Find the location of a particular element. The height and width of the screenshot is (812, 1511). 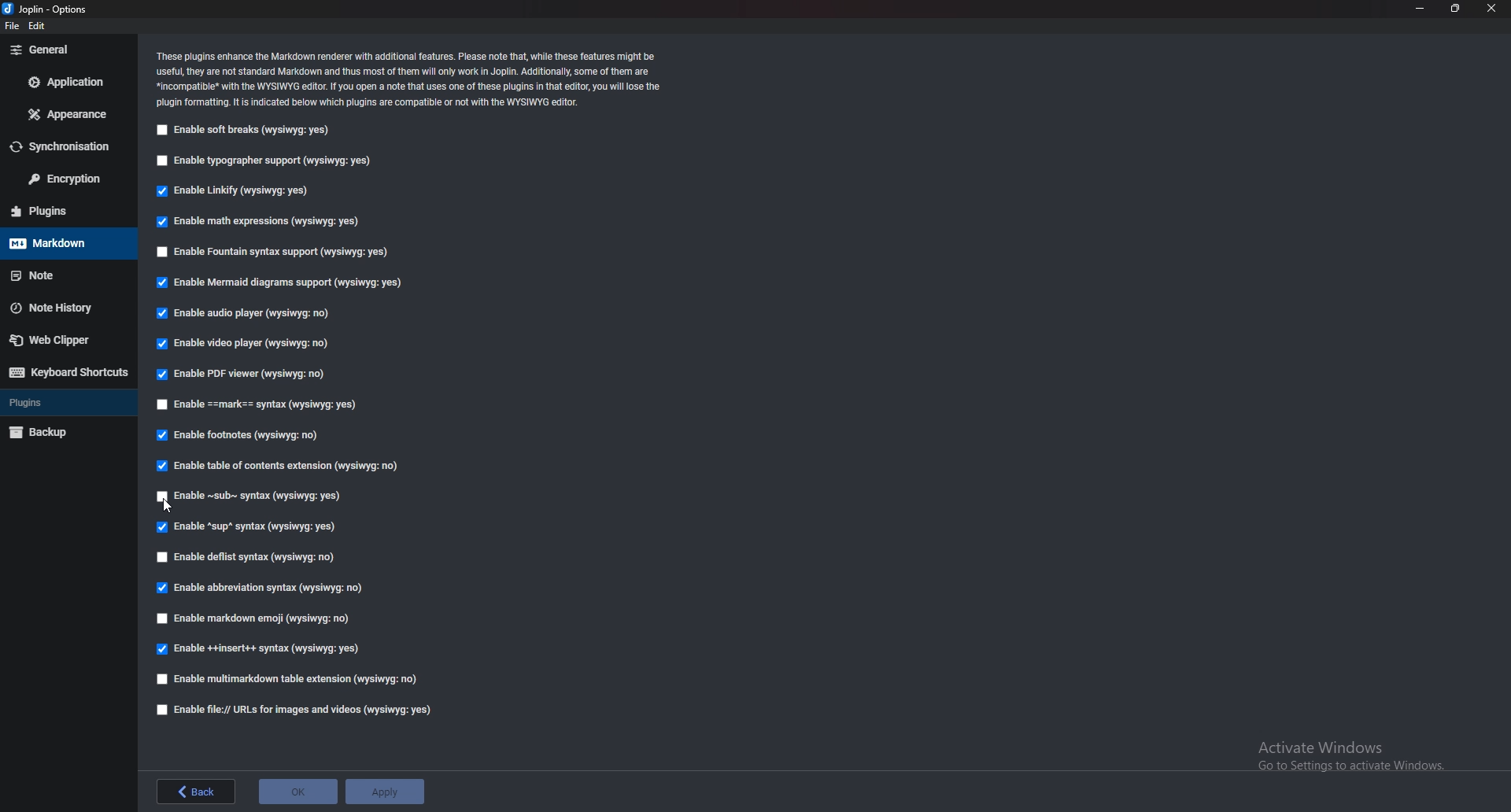

Encryption is located at coordinates (69, 179).